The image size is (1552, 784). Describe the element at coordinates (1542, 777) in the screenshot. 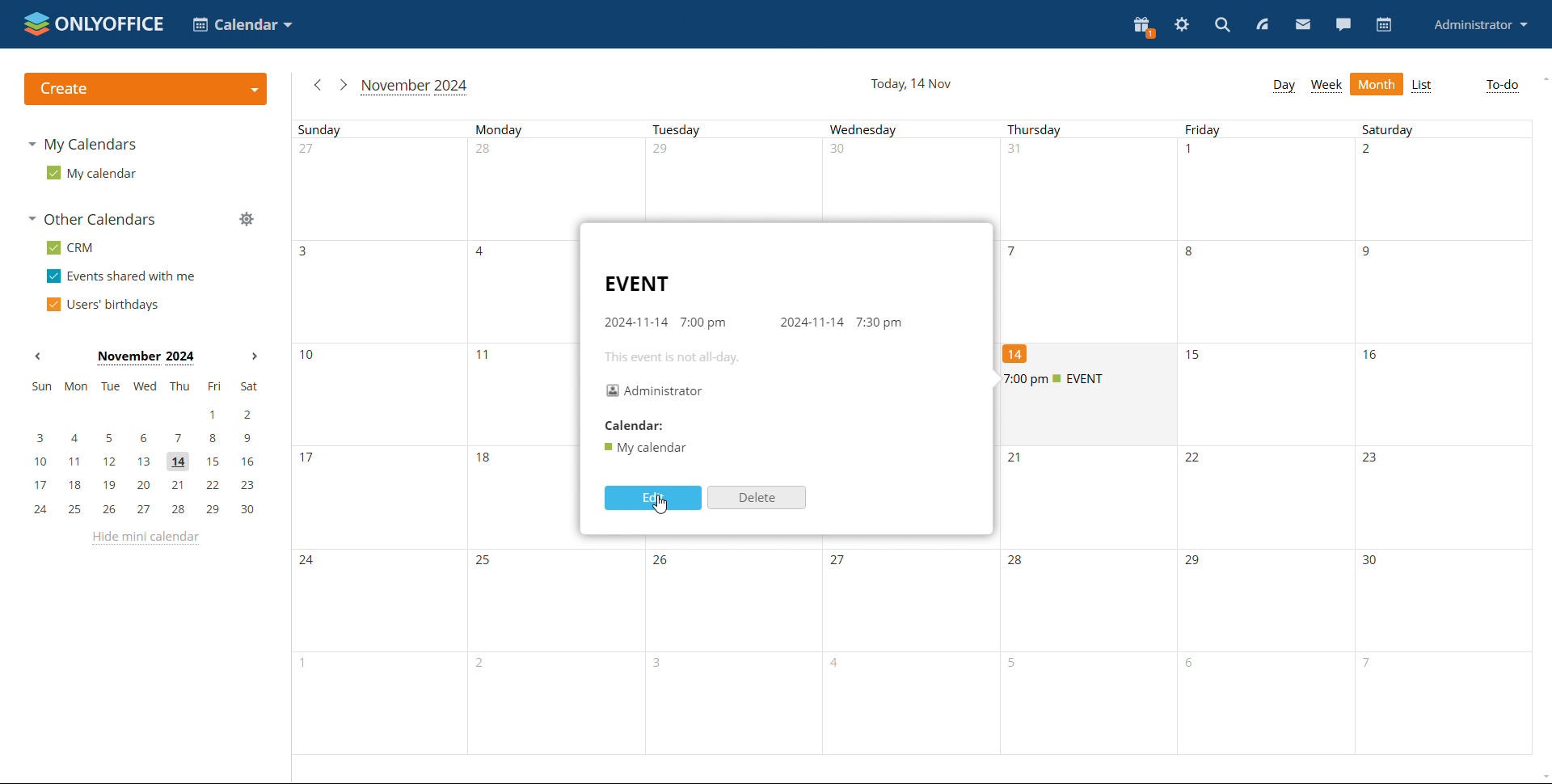

I see `scroll down` at that location.